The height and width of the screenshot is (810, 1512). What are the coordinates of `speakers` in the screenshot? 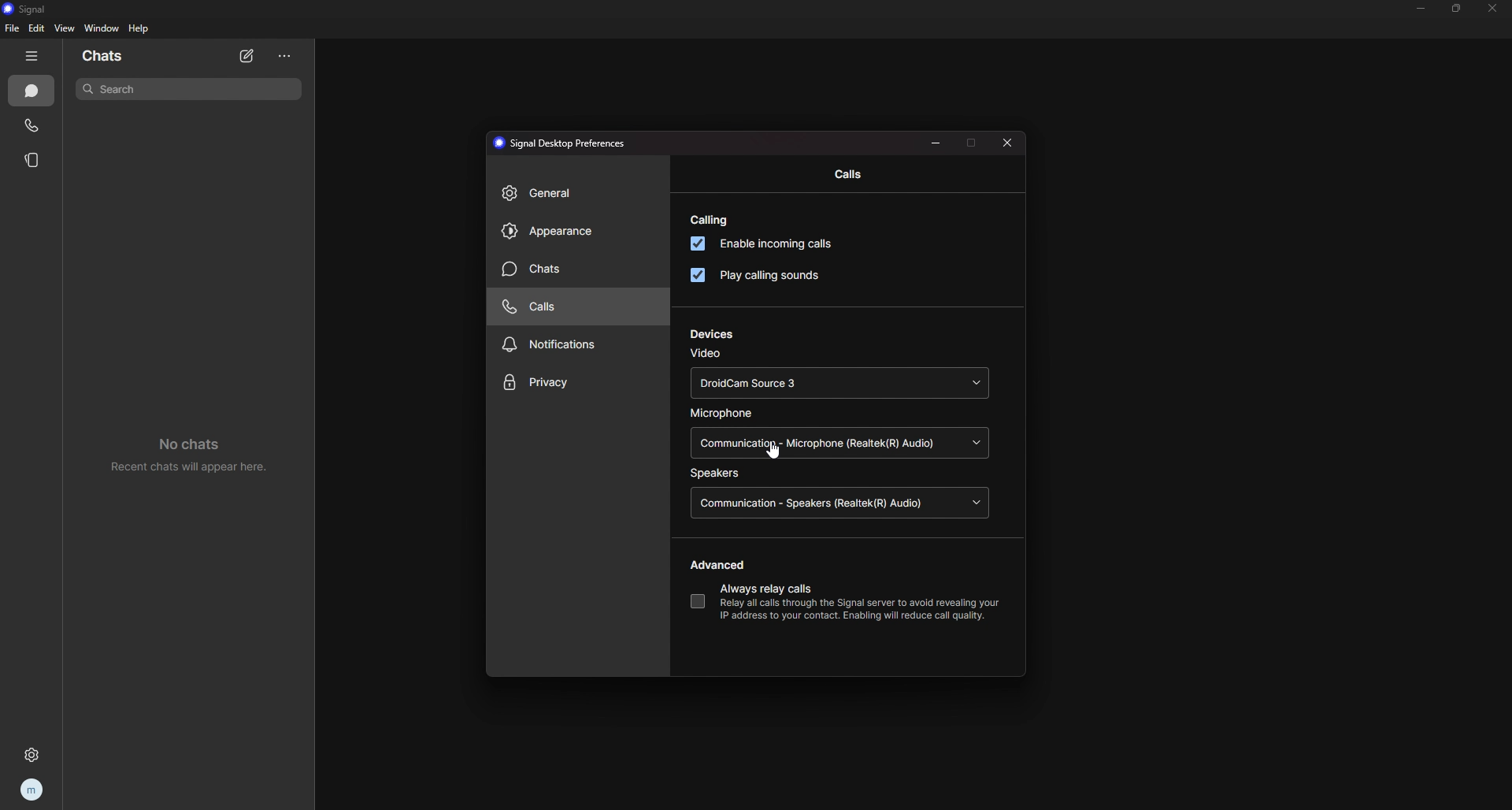 It's located at (717, 474).